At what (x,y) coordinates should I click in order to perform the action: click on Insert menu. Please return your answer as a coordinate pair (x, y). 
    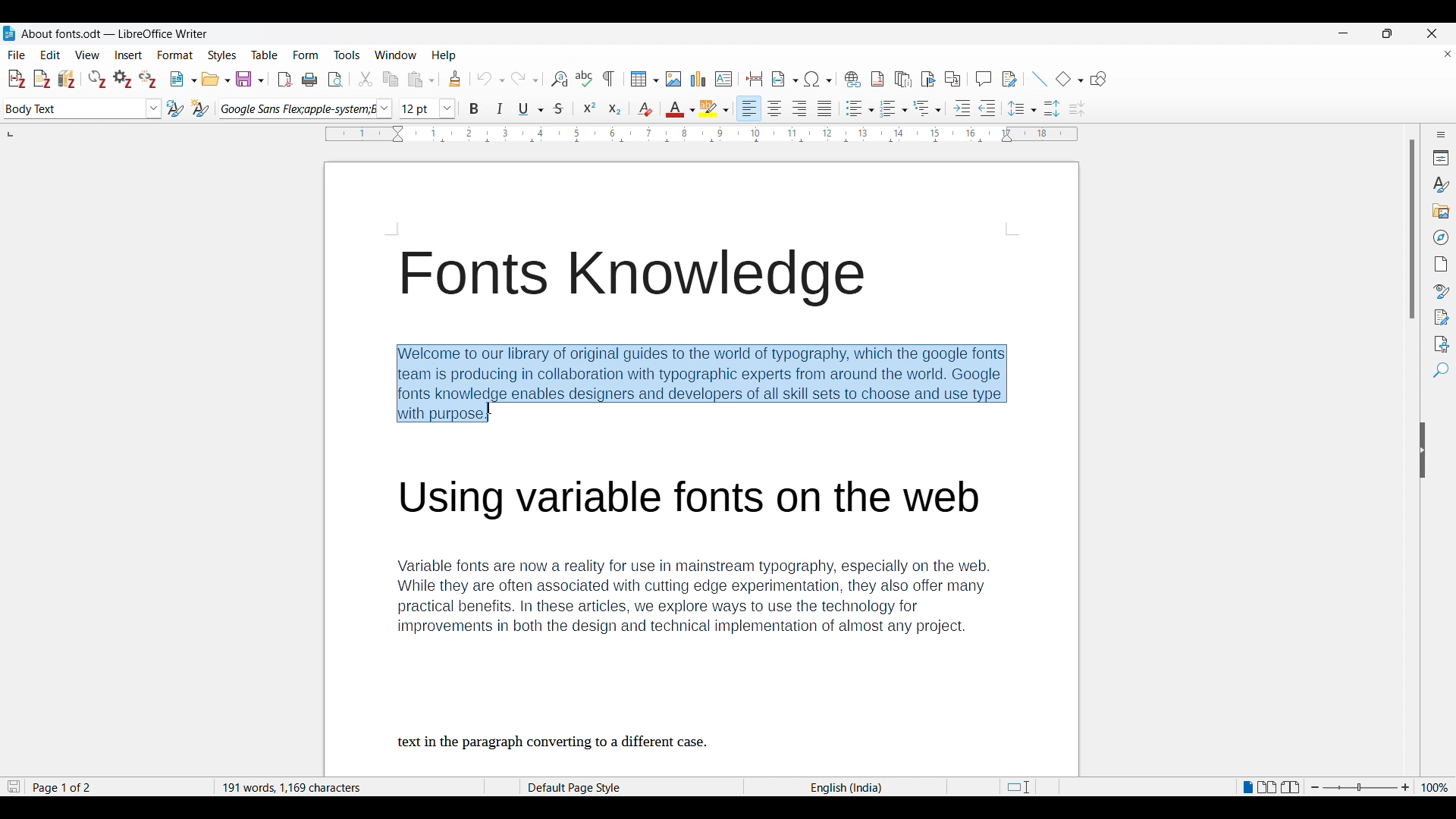
    Looking at the image, I should click on (129, 55).